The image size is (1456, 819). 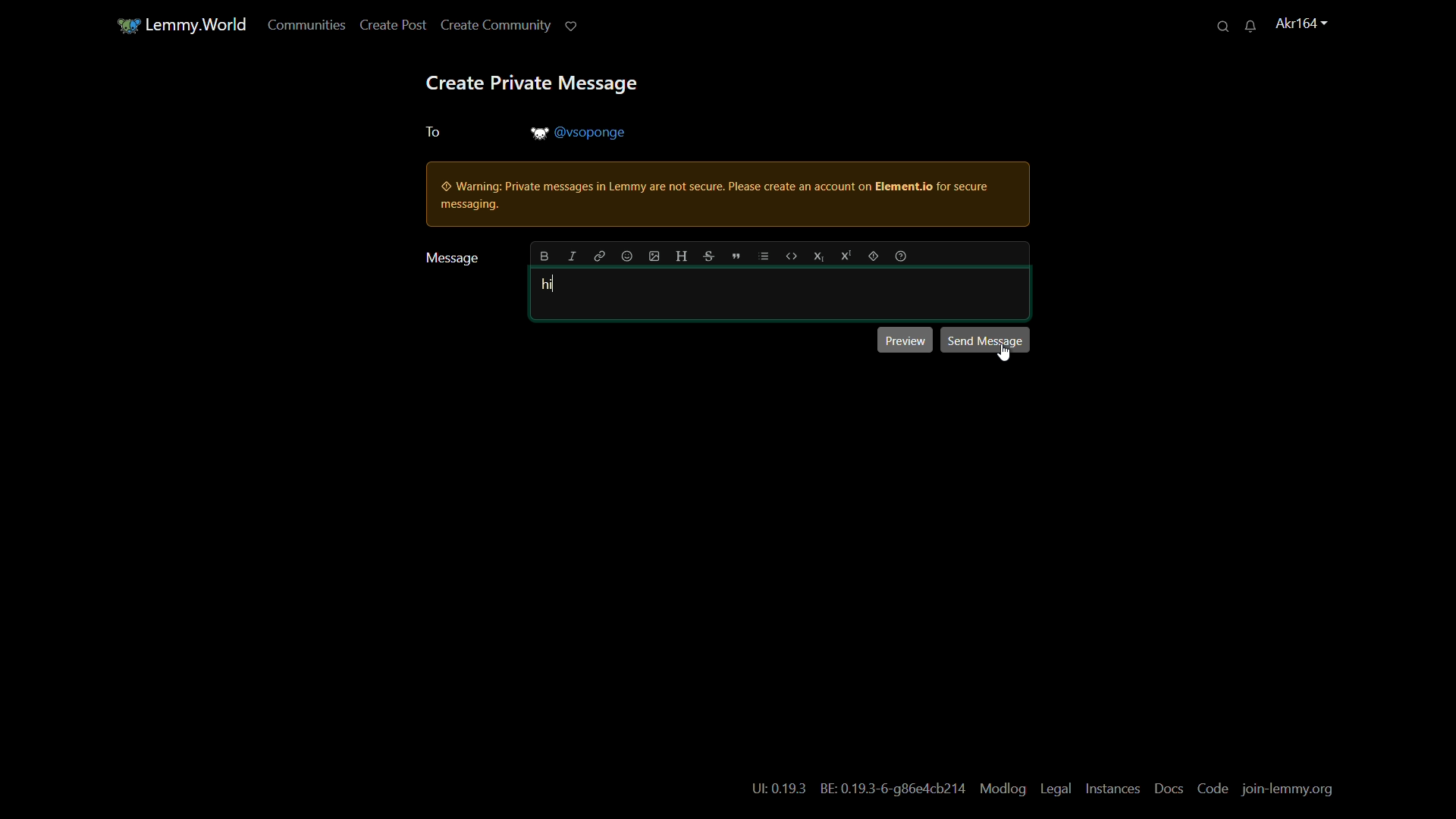 I want to click on warning pop up, so click(x=723, y=196).